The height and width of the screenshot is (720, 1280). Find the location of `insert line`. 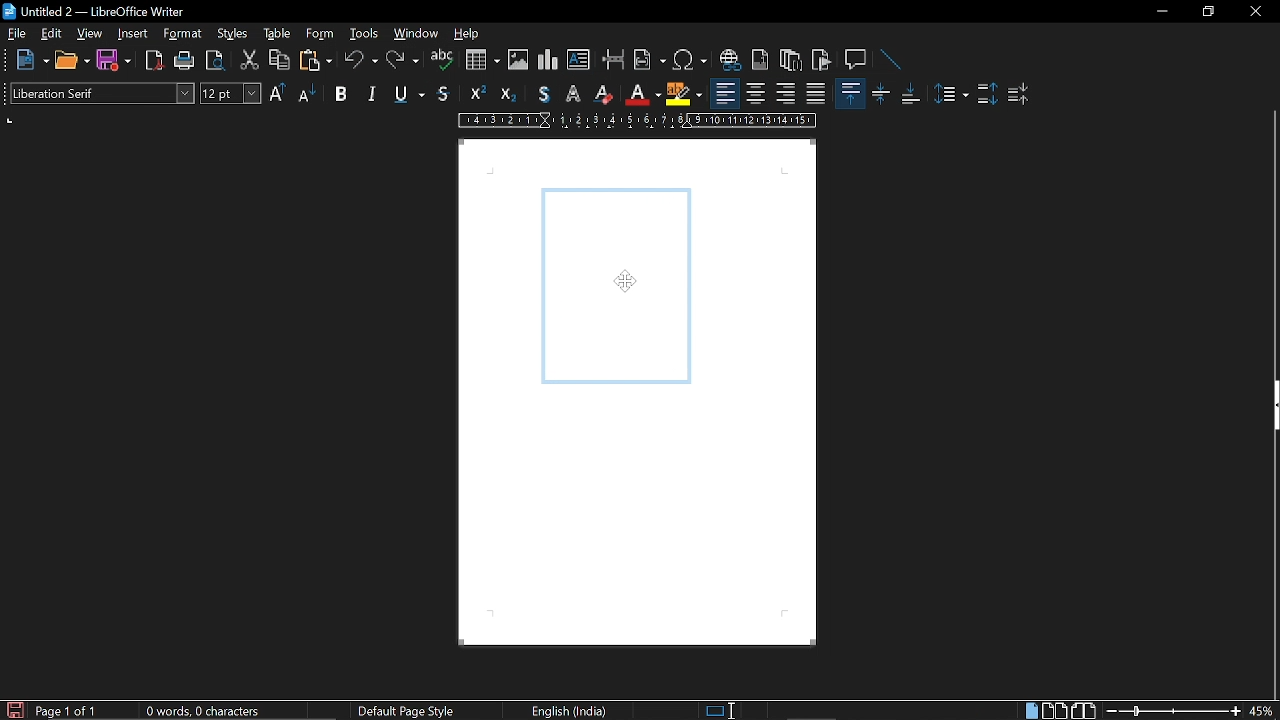

insert line is located at coordinates (886, 59).